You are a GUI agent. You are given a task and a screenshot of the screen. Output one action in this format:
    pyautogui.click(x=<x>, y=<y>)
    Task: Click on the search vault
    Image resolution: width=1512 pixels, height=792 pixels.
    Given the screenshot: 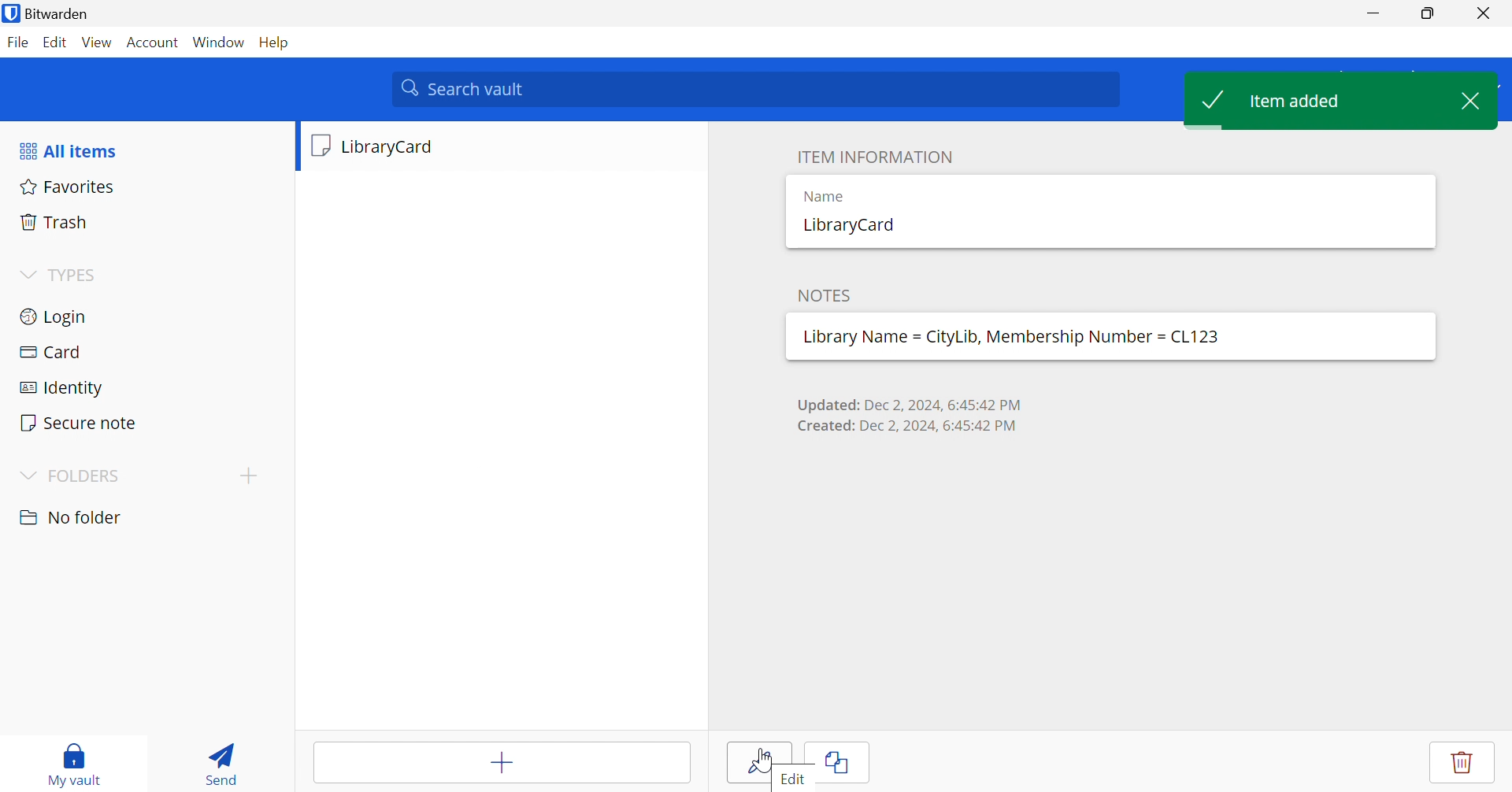 What is the action you would take?
    pyautogui.click(x=754, y=90)
    